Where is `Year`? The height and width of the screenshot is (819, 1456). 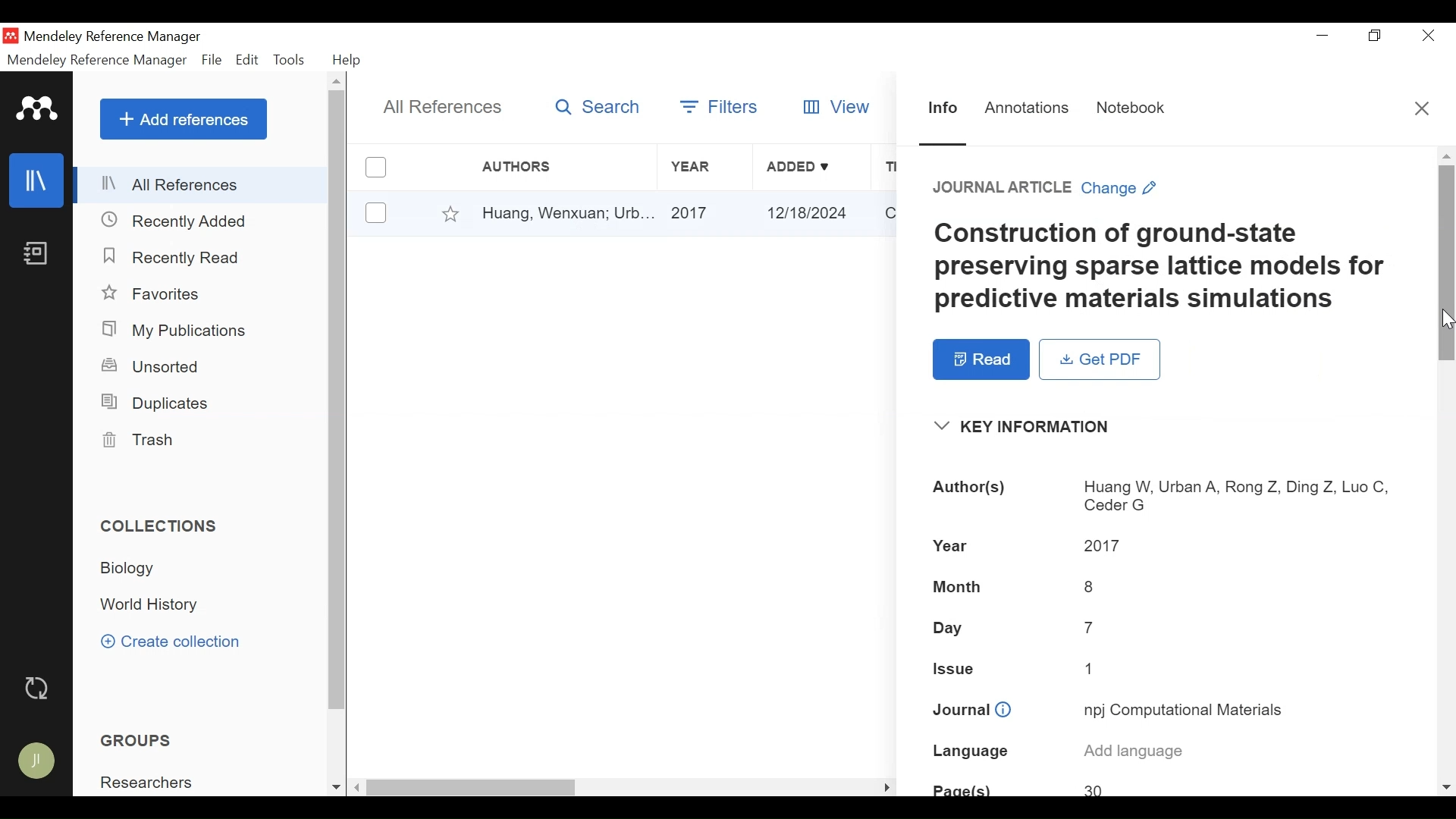 Year is located at coordinates (949, 545).